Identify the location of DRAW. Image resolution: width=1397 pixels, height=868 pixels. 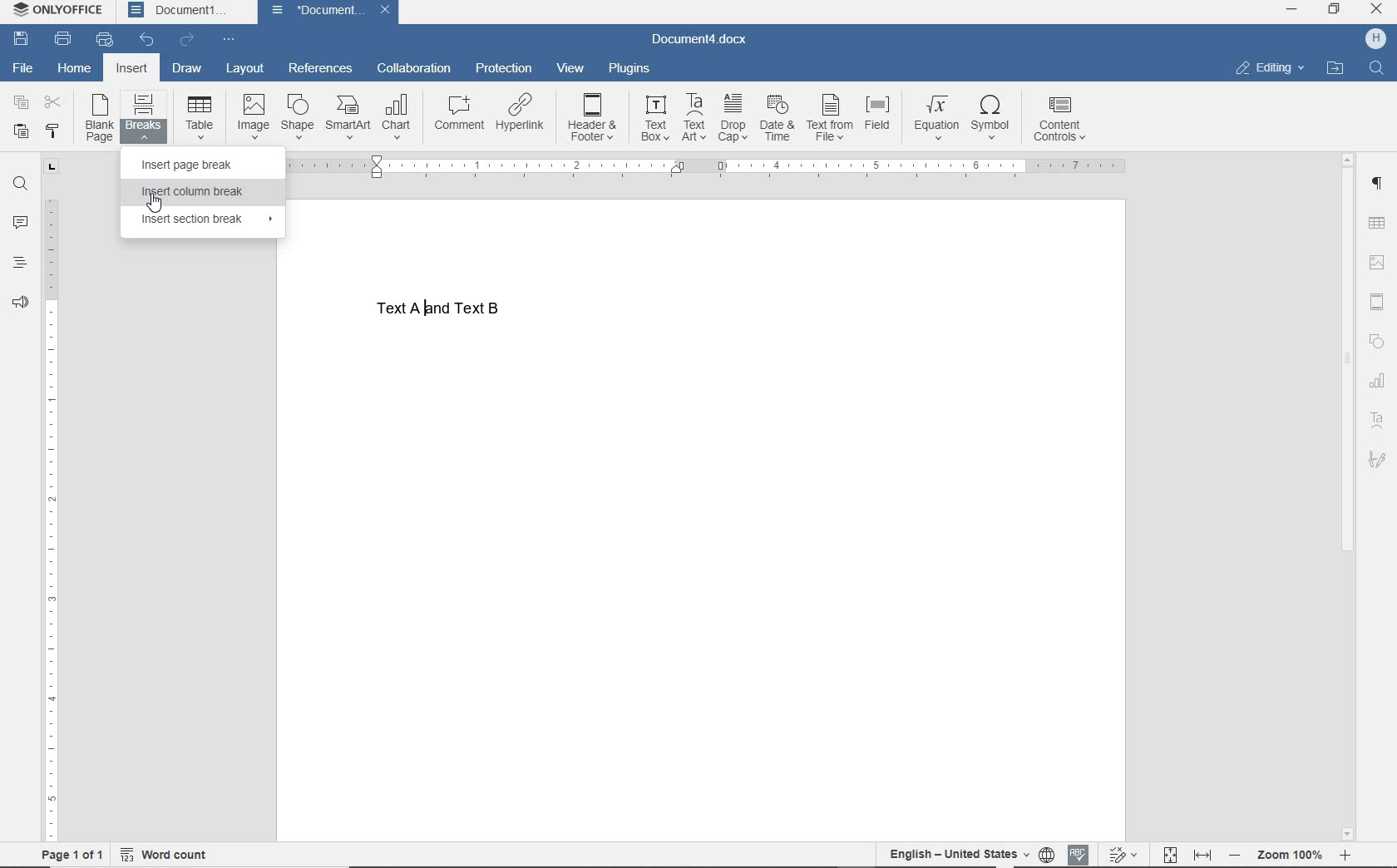
(188, 67).